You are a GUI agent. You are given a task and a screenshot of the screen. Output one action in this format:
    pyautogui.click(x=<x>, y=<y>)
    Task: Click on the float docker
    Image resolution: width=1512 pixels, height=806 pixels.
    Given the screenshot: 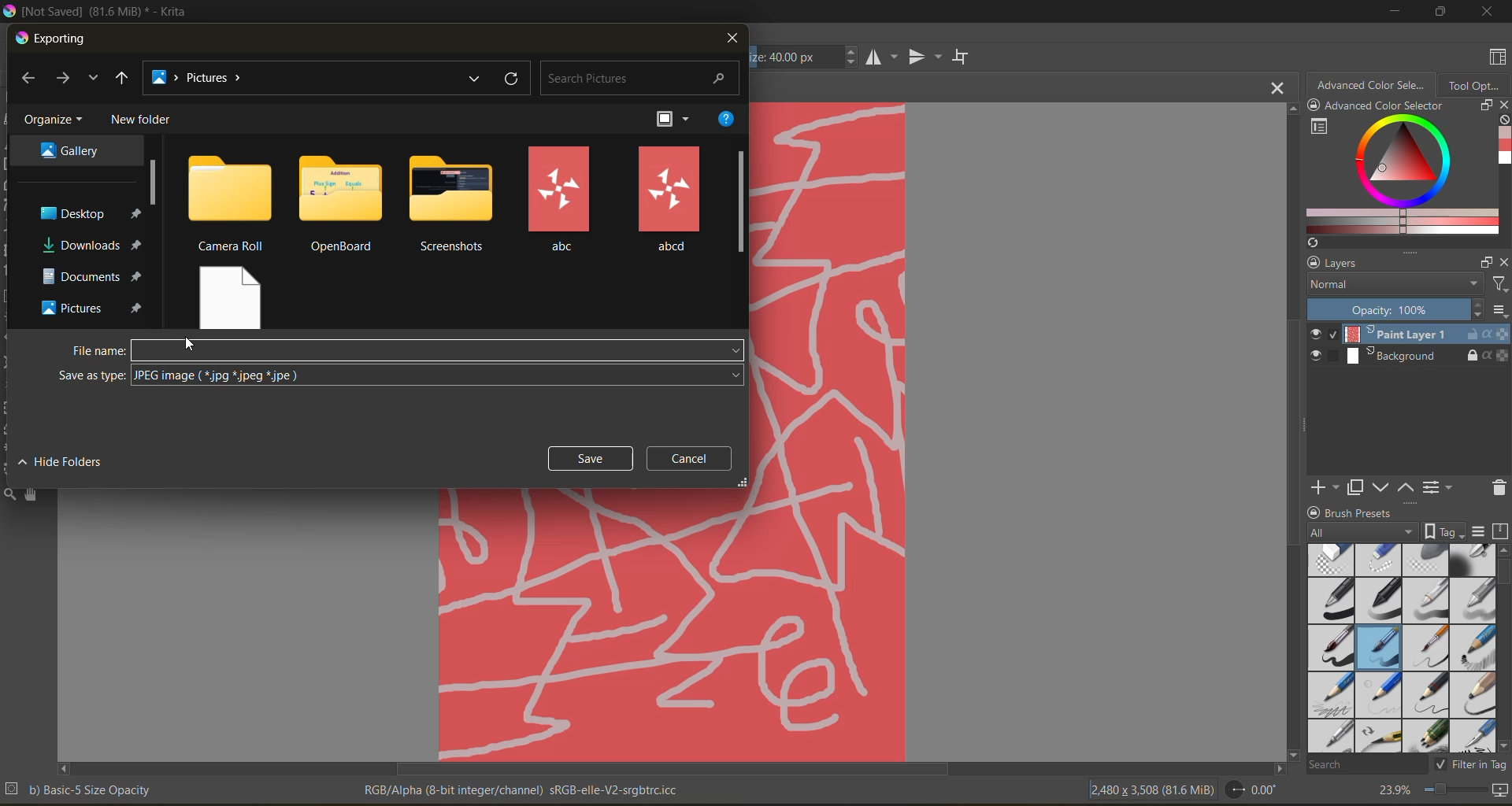 What is the action you would take?
    pyautogui.click(x=1486, y=263)
    